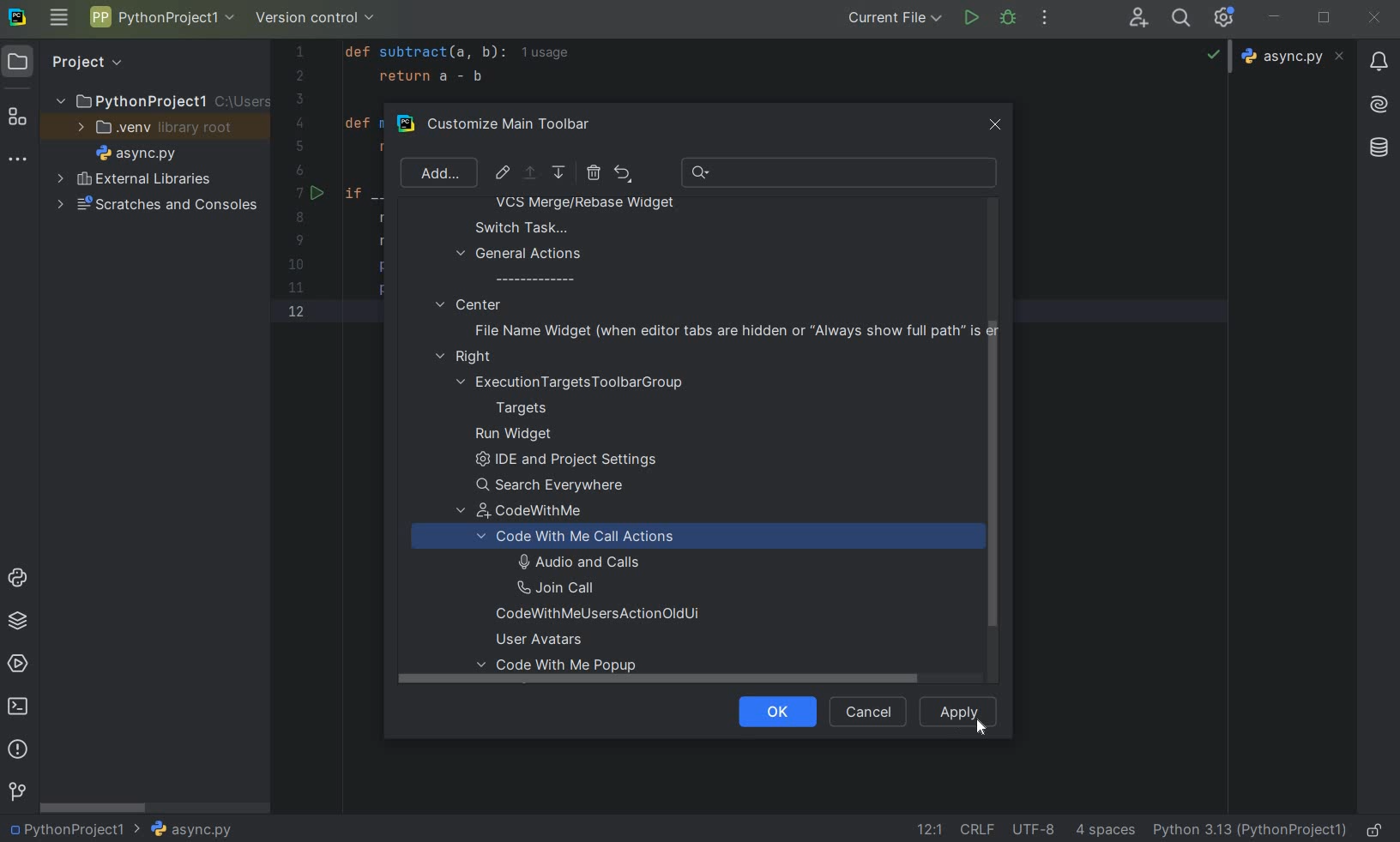 This screenshot has height=842, width=1400. I want to click on PROJECT NAME, so click(75, 827).